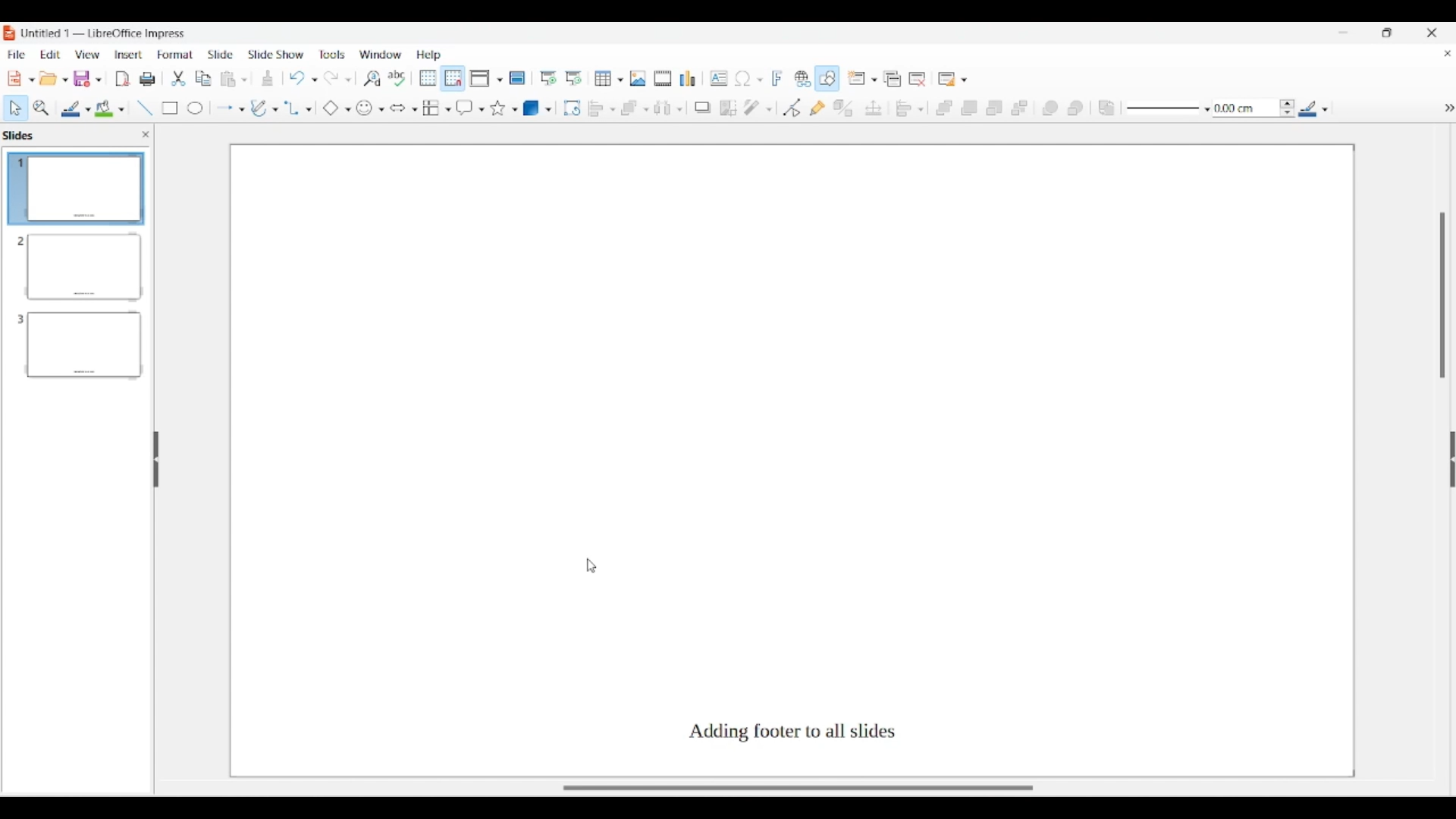 This screenshot has height=819, width=1456. I want to click on Send to back, so click(1019, 108).